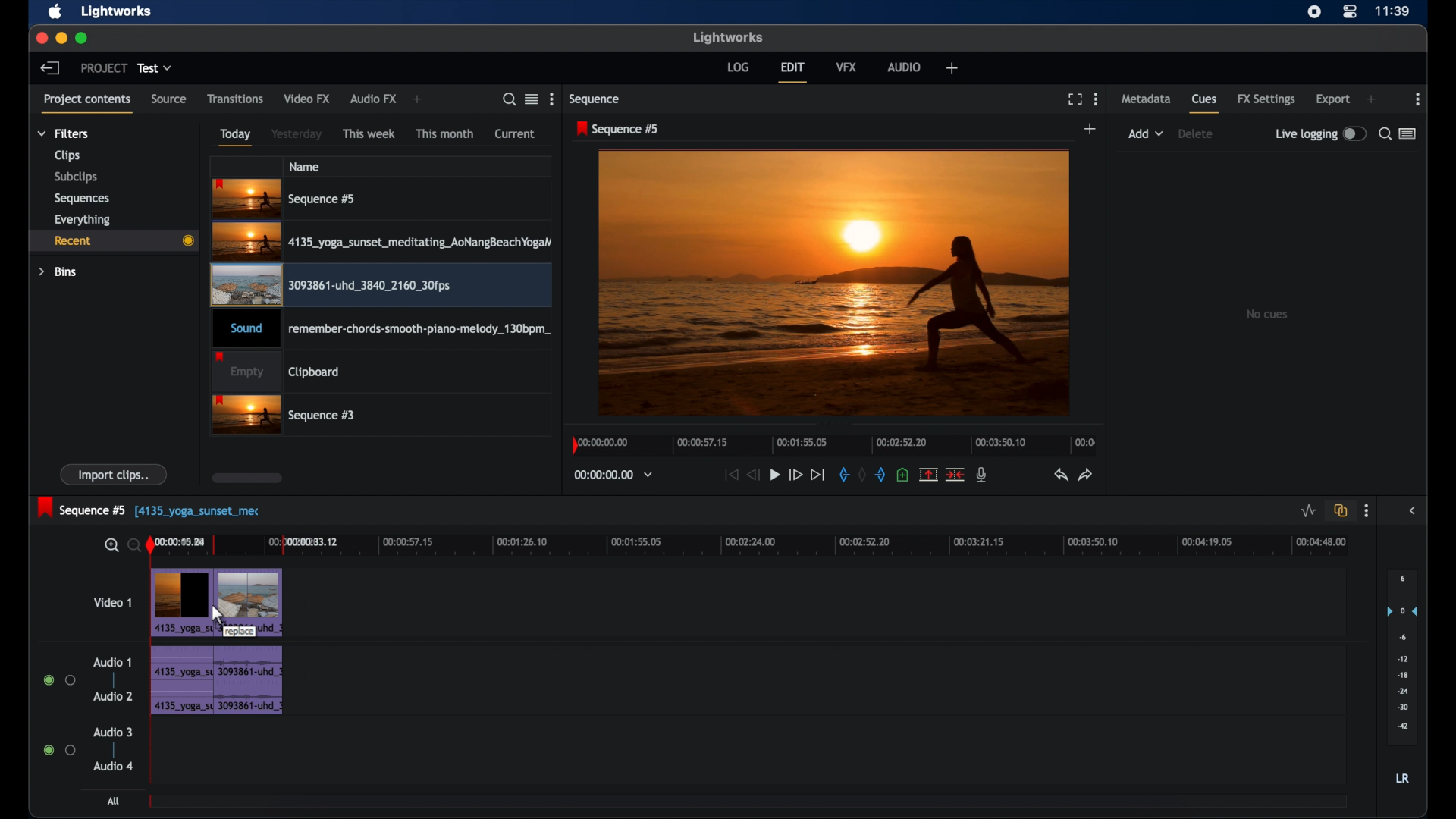 This screenshot has height=819, width=1456. I want to click on audio fx, so click(372, 99).